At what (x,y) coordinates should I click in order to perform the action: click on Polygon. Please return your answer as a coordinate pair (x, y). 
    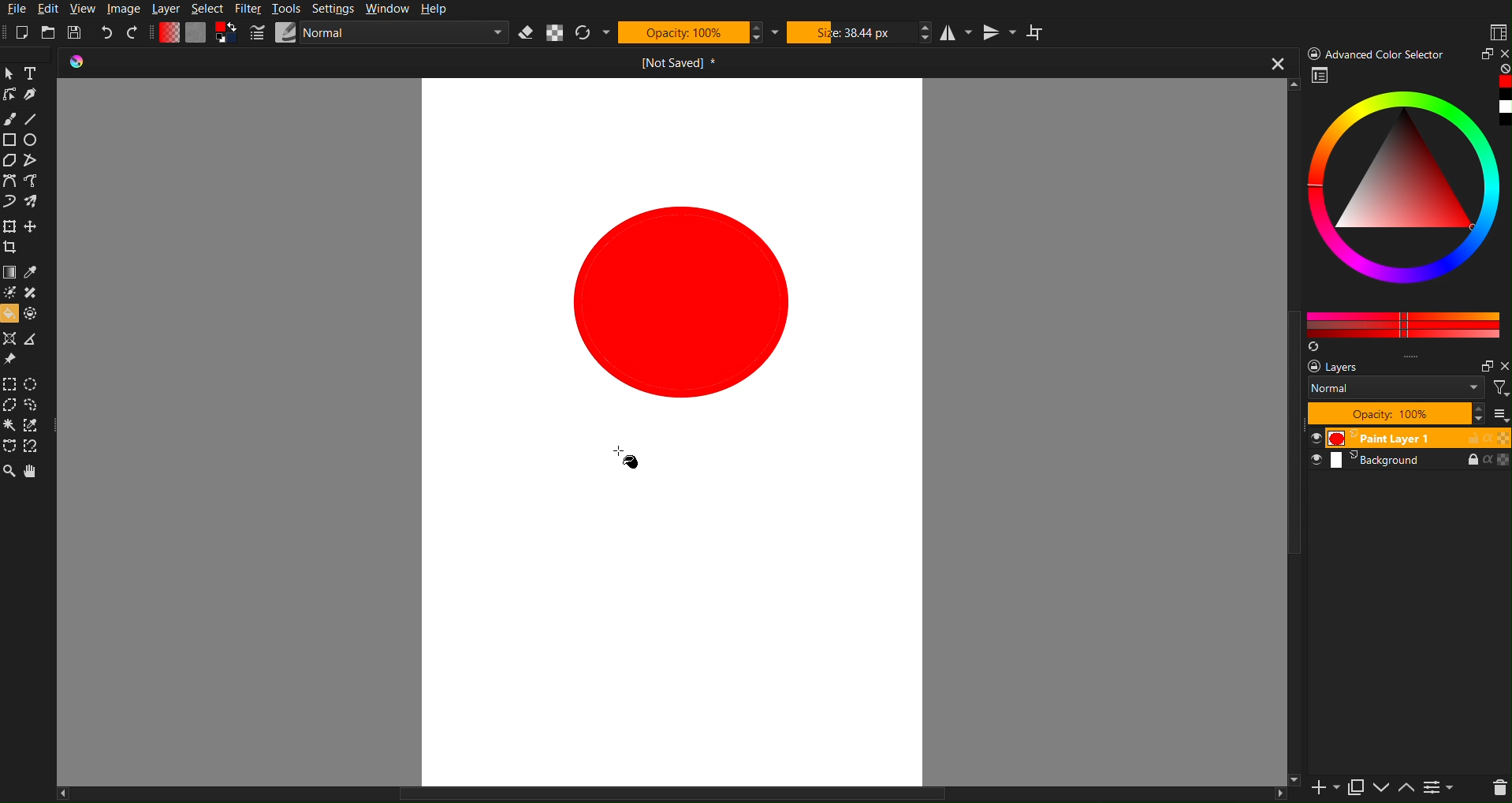
    Looking at the image, I should click on (10, 160).